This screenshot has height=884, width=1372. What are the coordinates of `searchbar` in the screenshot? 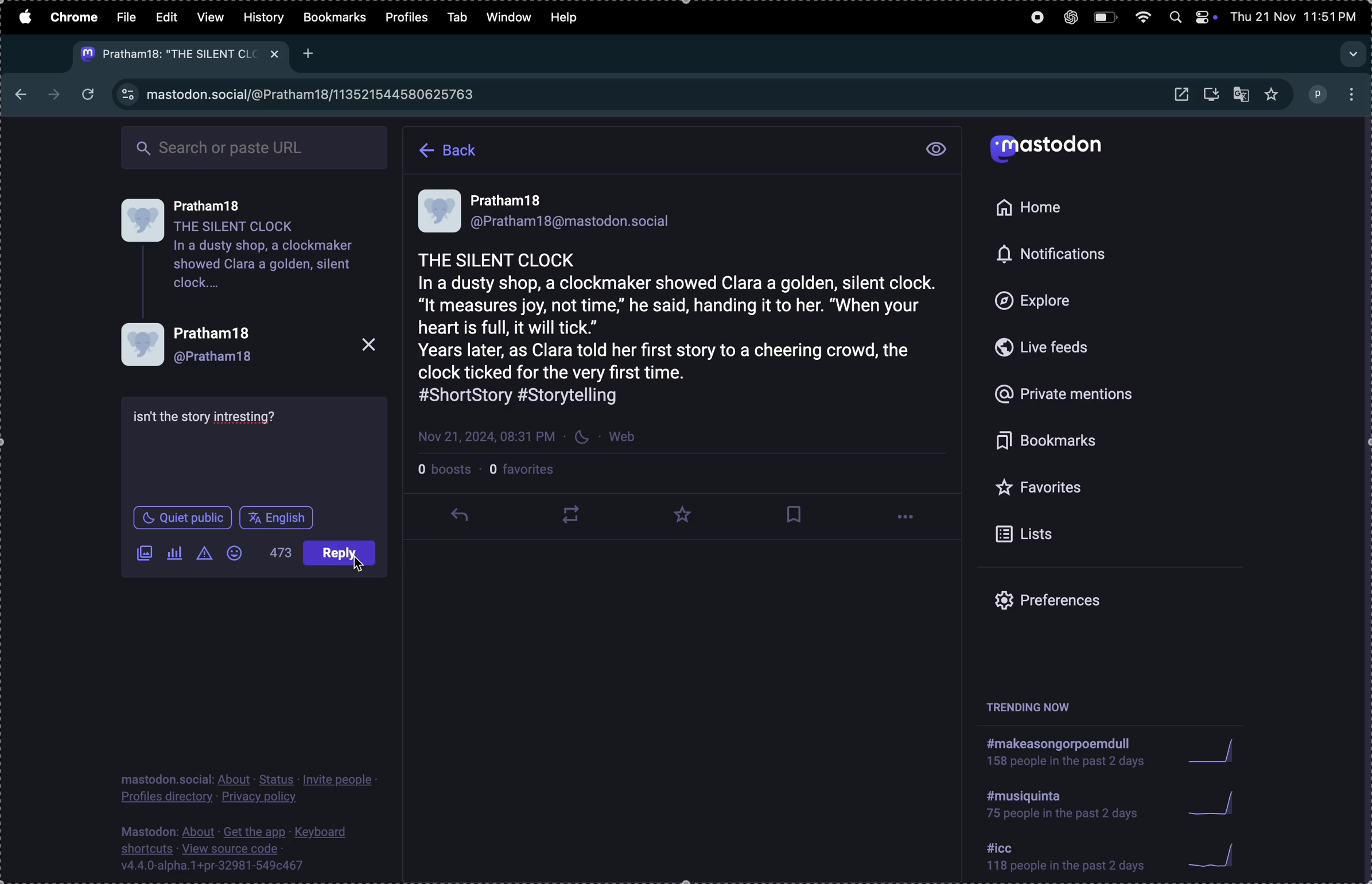 It's located at (256, 145).